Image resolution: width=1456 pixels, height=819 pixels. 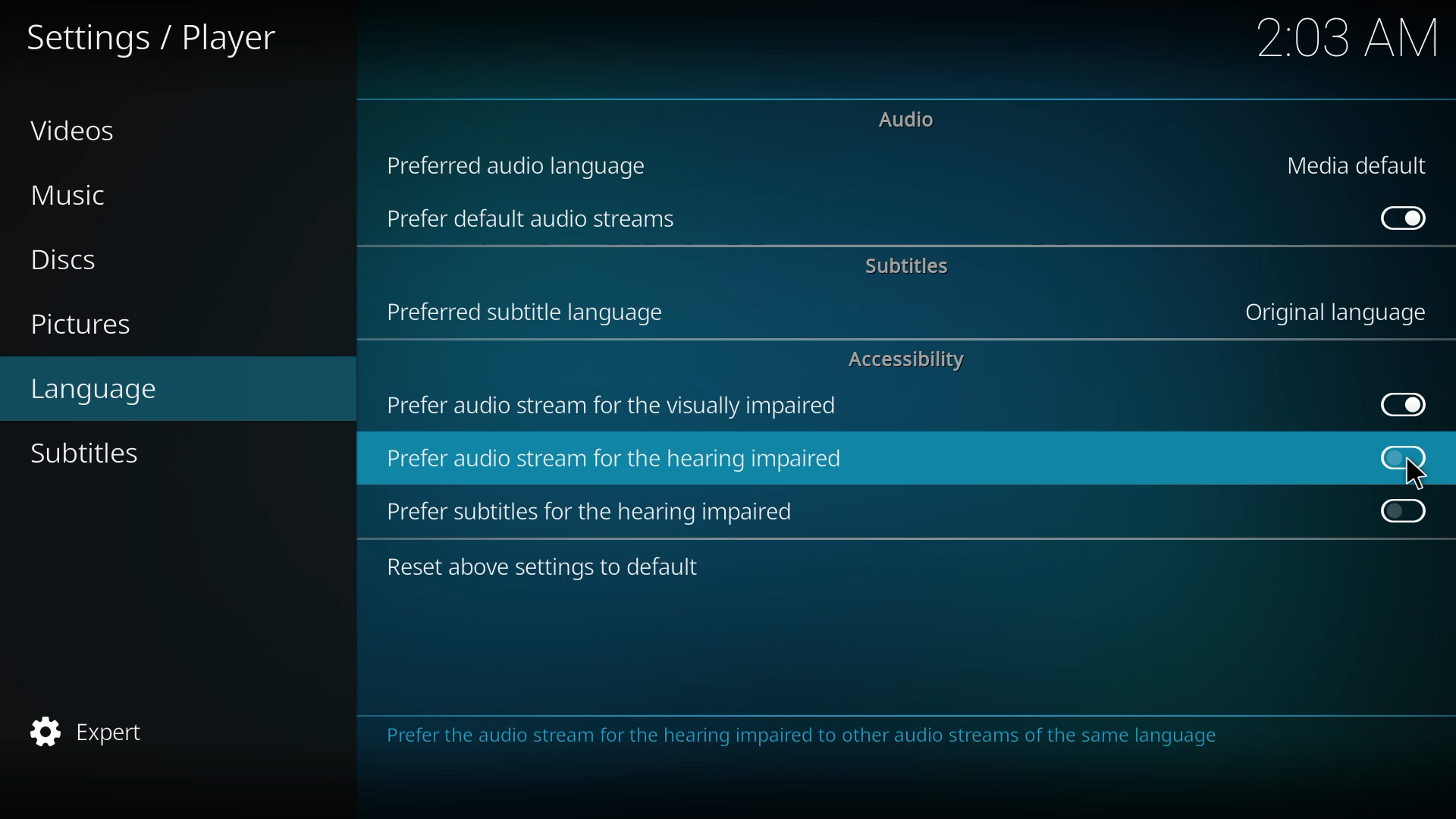 What do you see at coordinates (532, 311) in the screenshot?
I see `preferred subtitle language` at bounding box center [532, 311].